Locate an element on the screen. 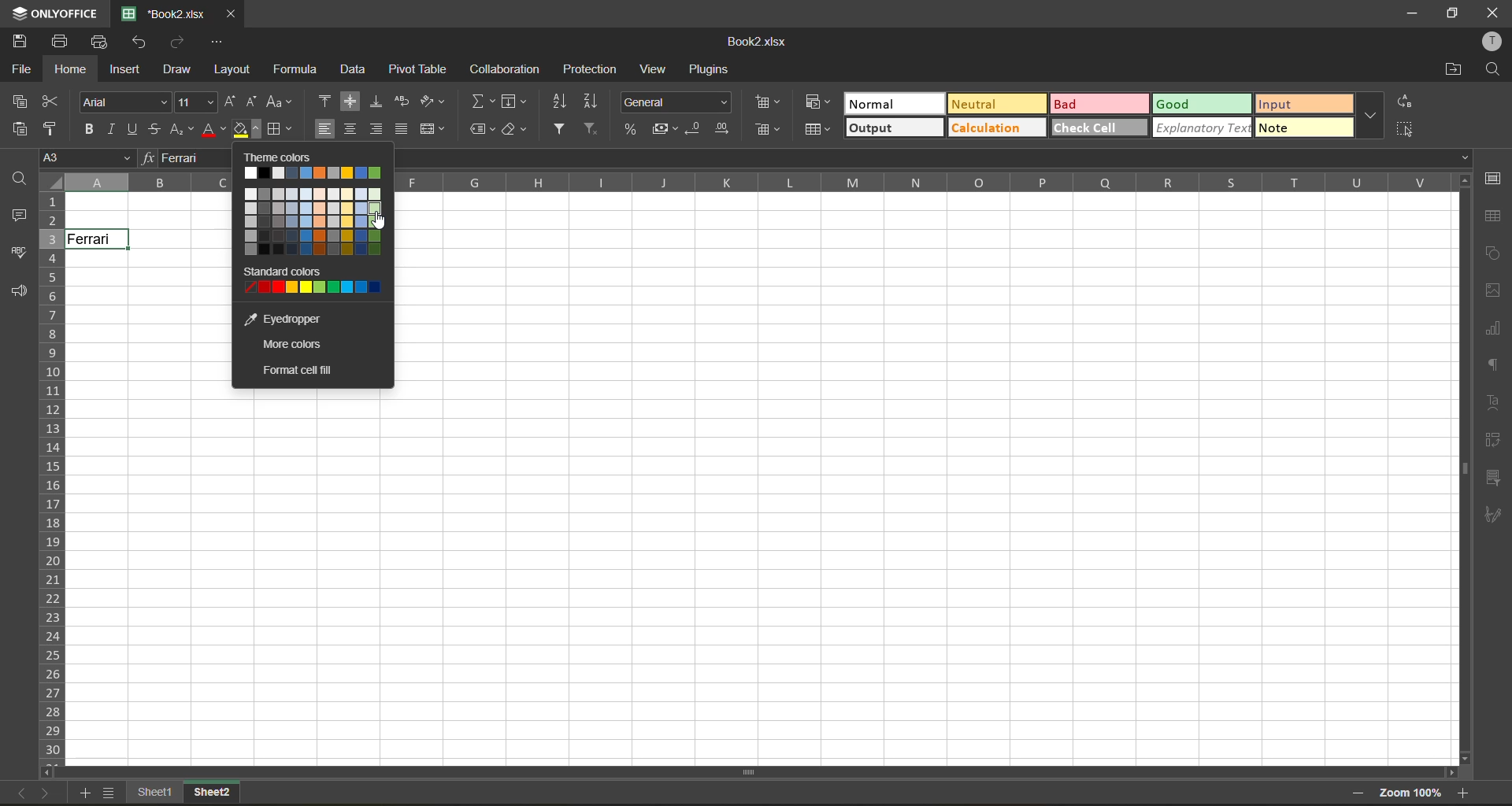  Ferrari is located at coordinates (98, 238).